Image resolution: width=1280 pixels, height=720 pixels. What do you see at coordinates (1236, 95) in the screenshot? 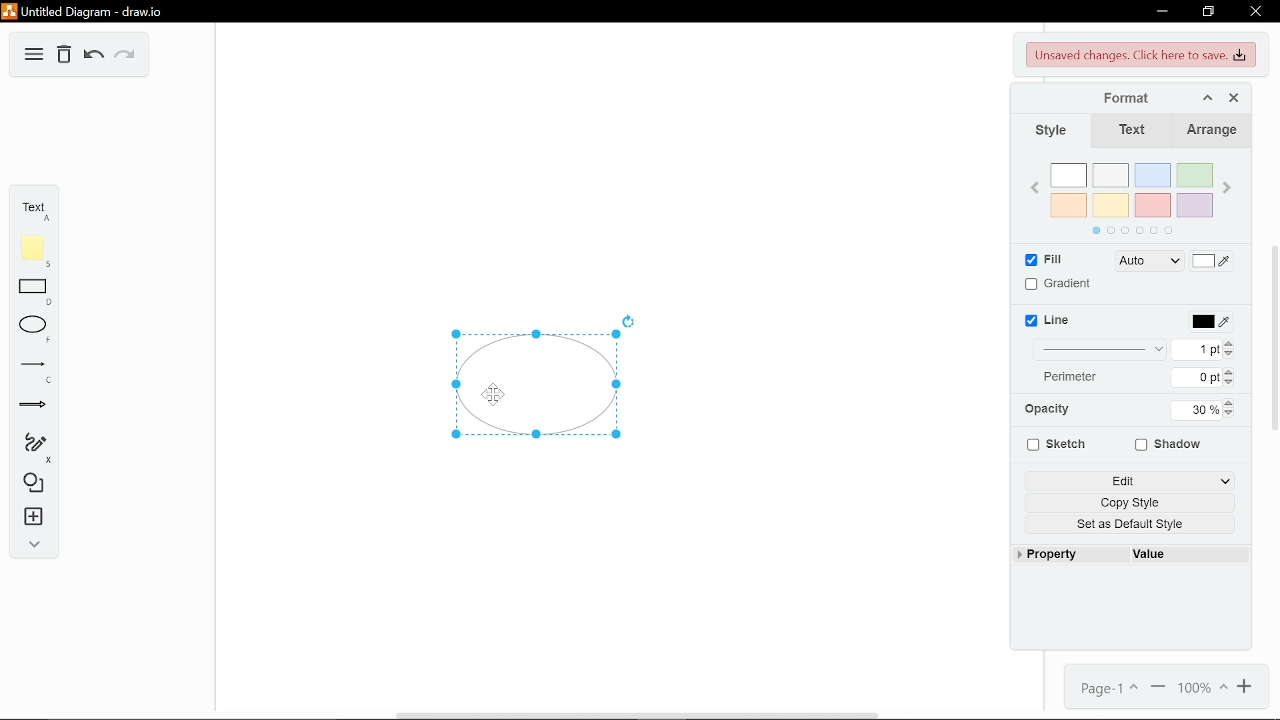
I see `Close` at bounding box center [1236, 95].